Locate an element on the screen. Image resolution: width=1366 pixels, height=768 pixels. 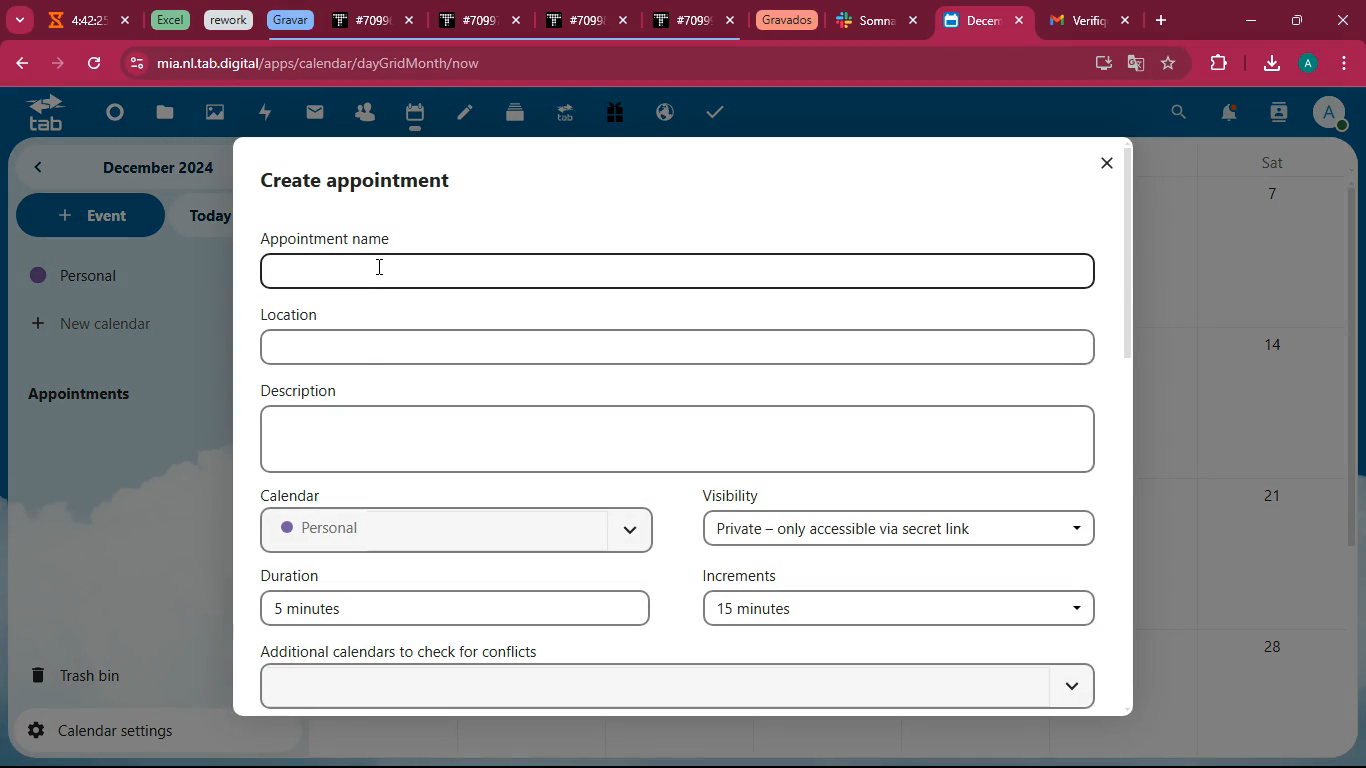
notifications is located at coordinates (1227, 116).